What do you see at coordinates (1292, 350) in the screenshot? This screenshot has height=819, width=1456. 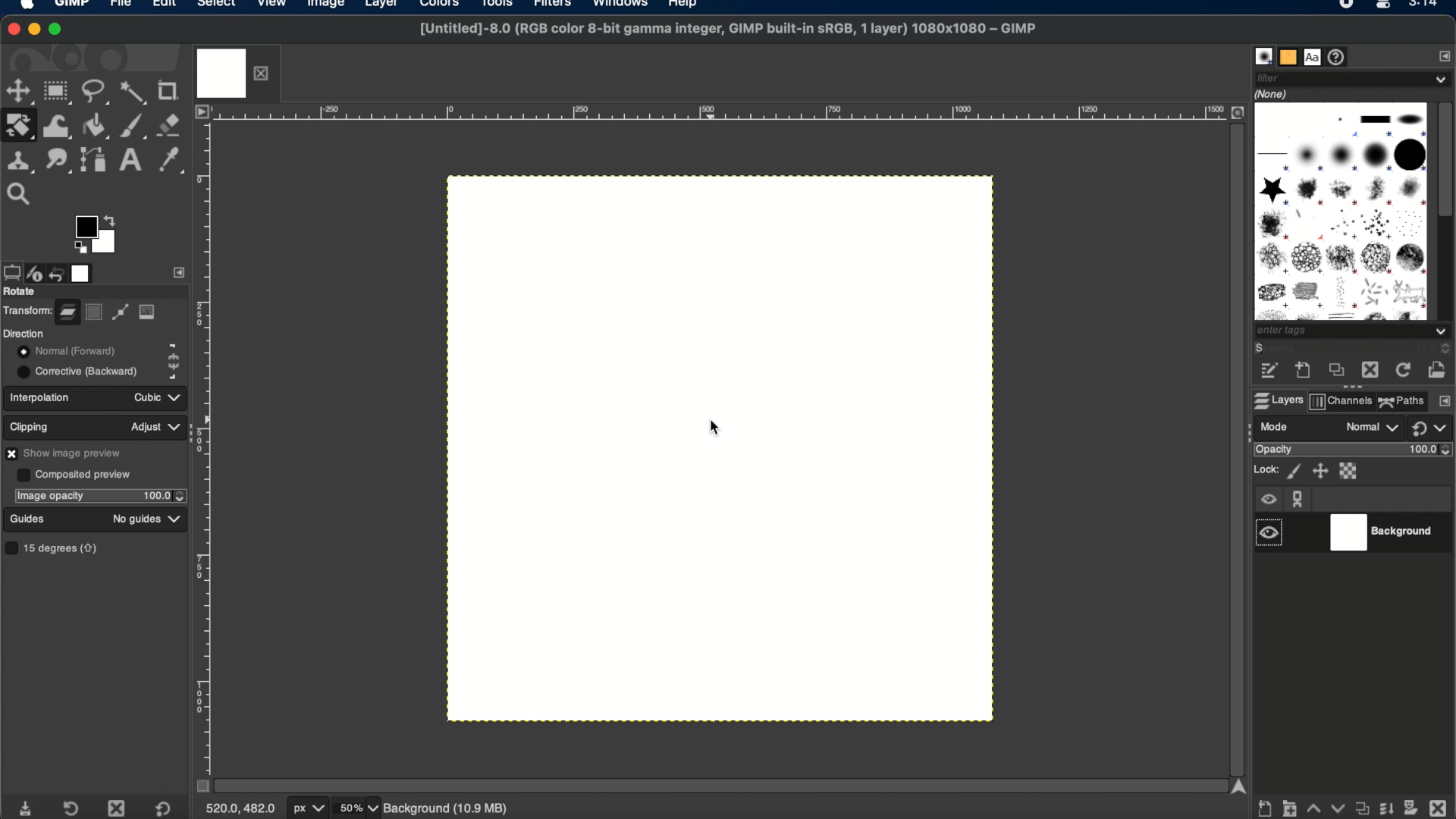 I see `spacing` at bounding box center [1292, 350].